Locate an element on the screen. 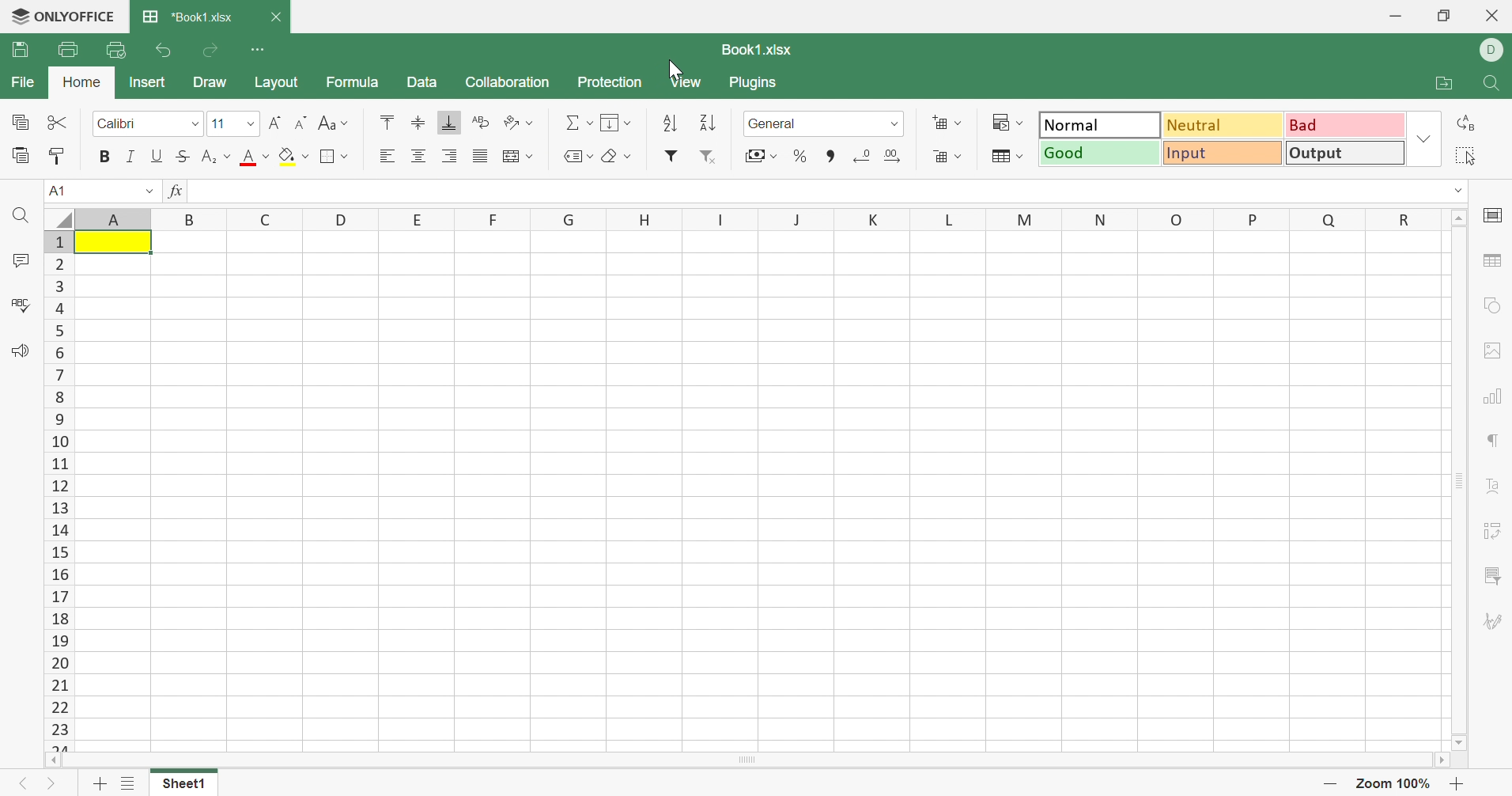 The width and height of the screenshot is (1512, 796). Insert filter is located at coordinates (674, 155).